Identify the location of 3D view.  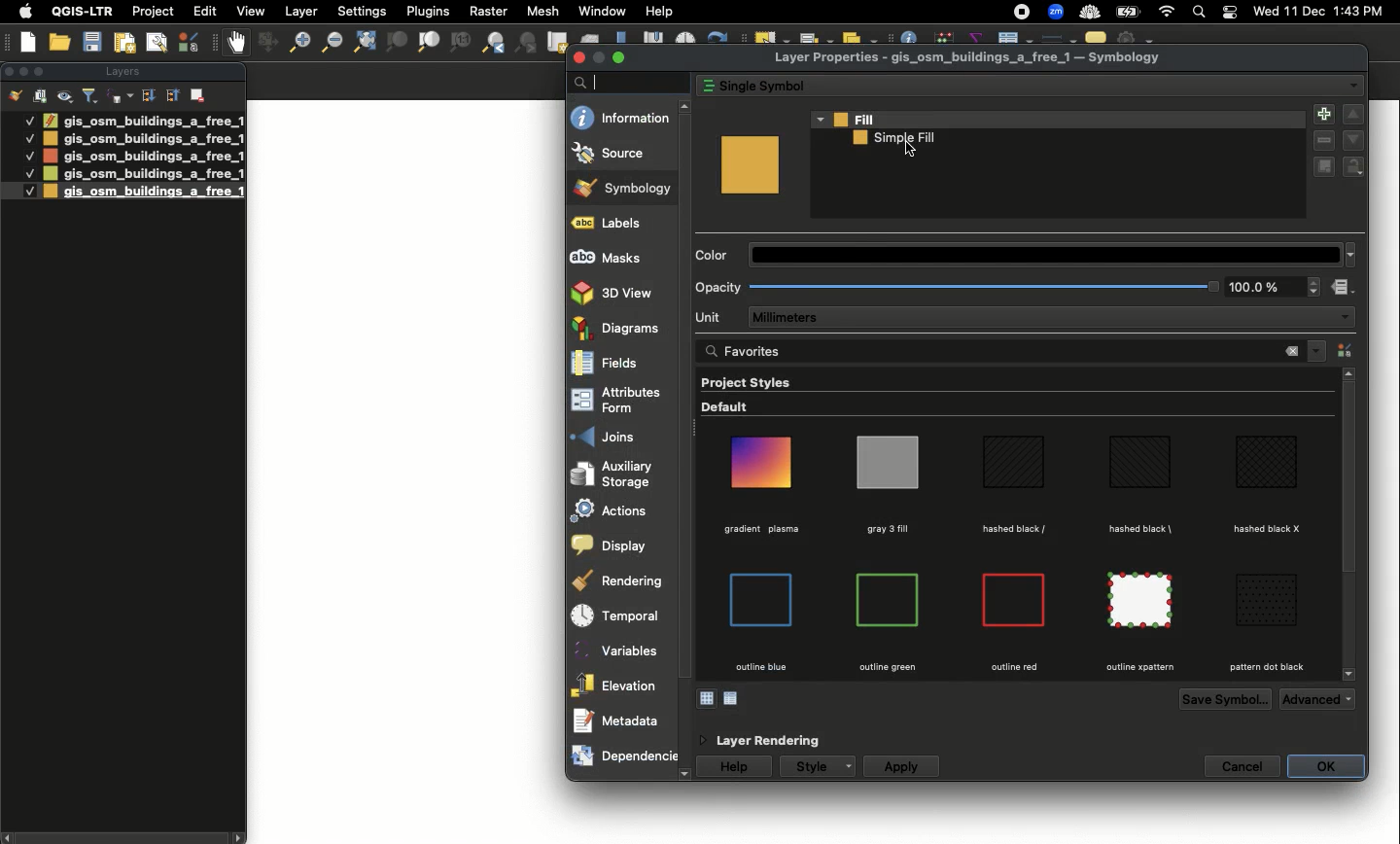
(613, 294).